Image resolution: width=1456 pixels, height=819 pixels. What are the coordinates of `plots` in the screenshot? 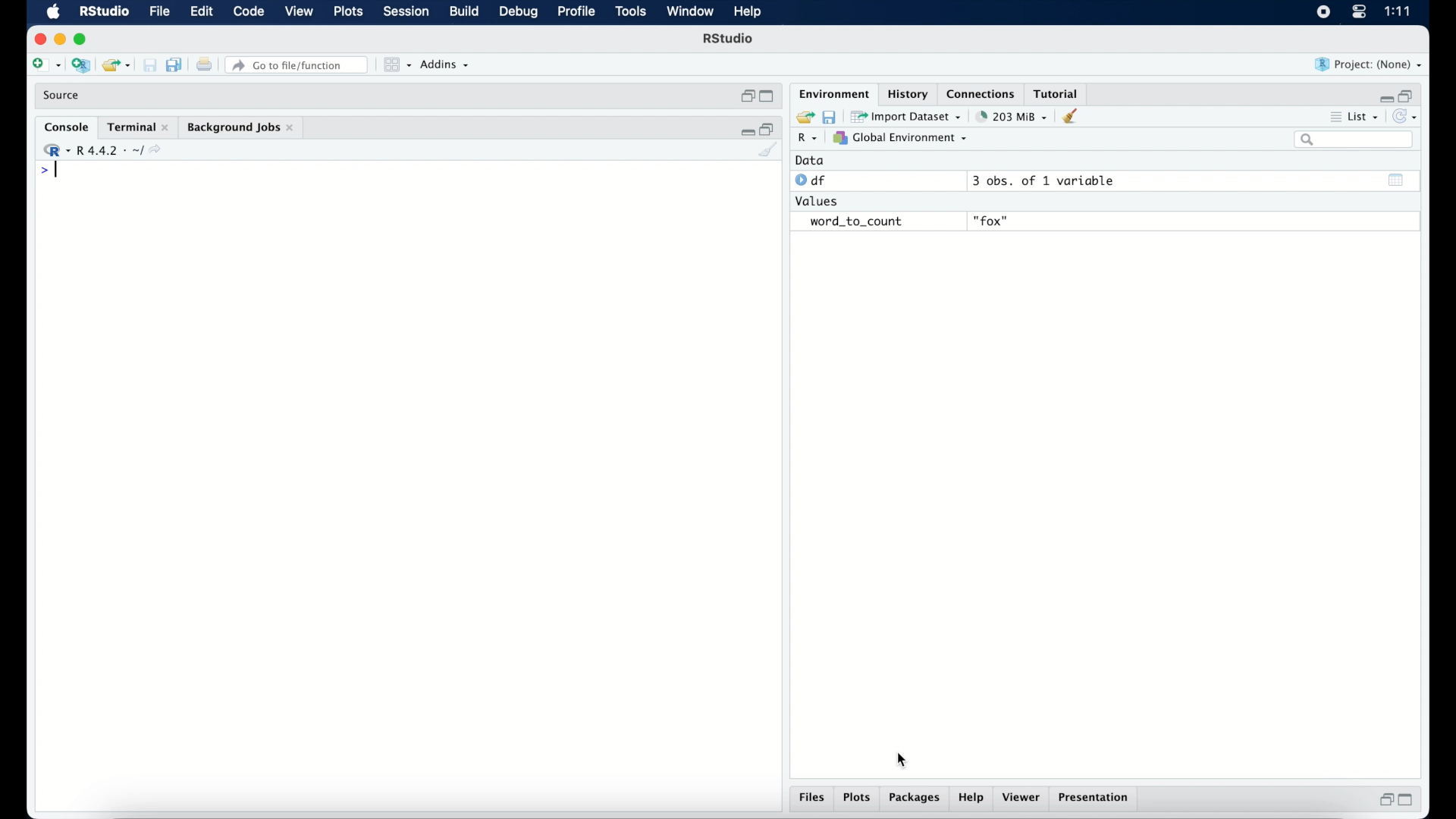 It's located at (350, 12).